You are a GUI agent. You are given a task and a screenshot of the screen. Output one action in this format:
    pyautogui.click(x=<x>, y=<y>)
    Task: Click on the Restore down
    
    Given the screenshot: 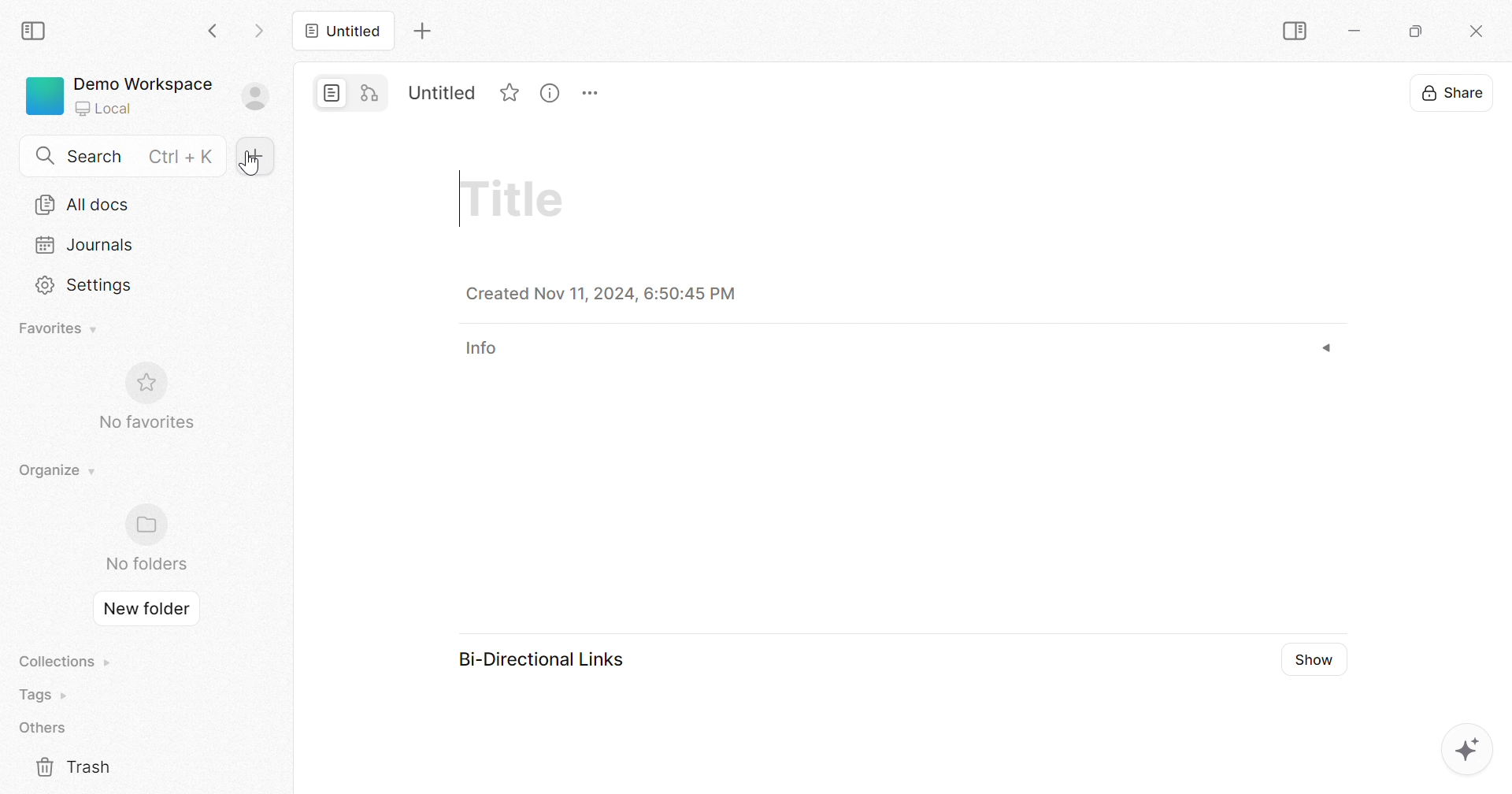 What is the action you would take?
    pyautogui.click(x=1417, y=34)
    